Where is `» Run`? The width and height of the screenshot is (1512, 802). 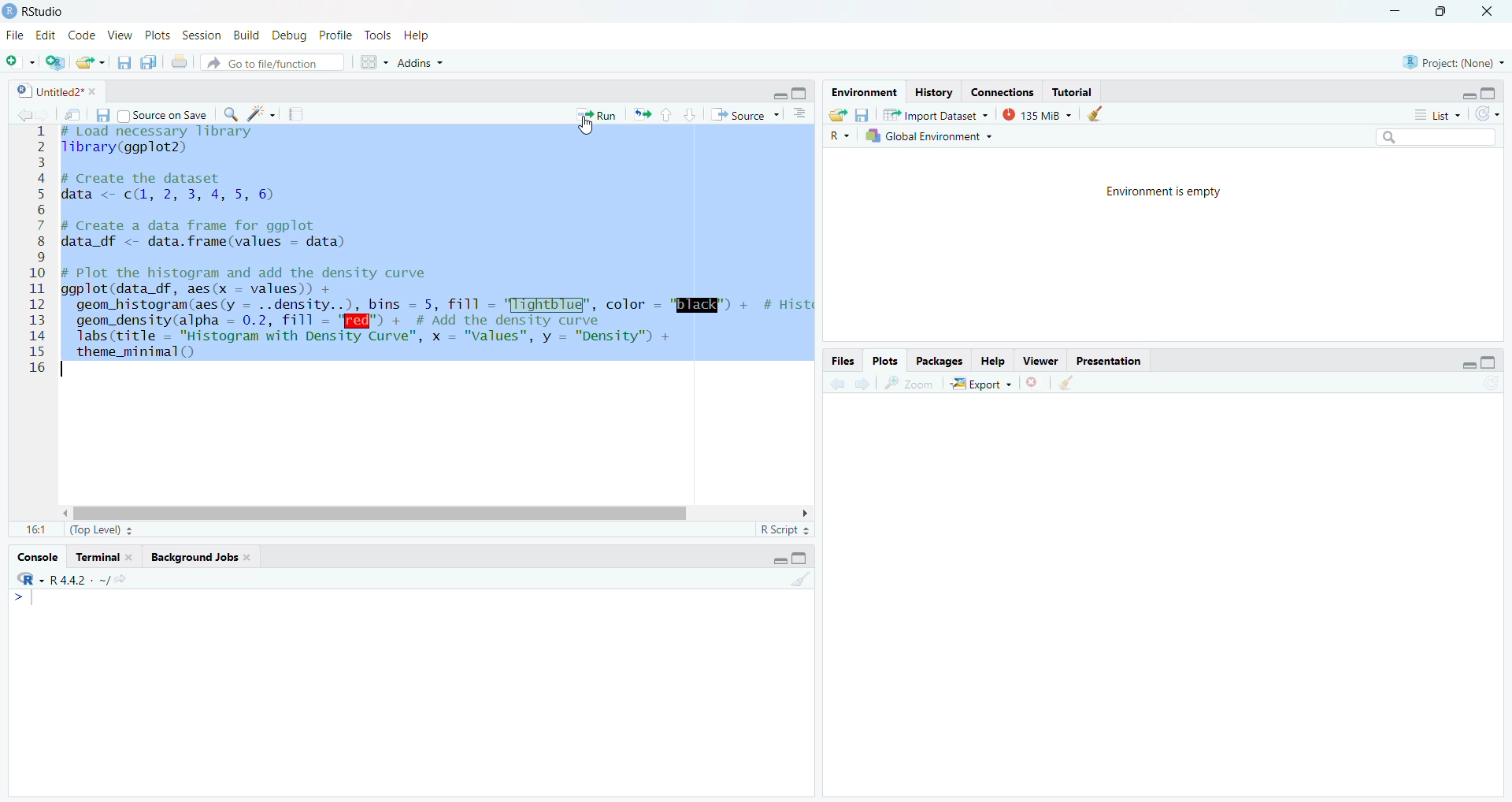
» Run is located at coordinates (600, 114).